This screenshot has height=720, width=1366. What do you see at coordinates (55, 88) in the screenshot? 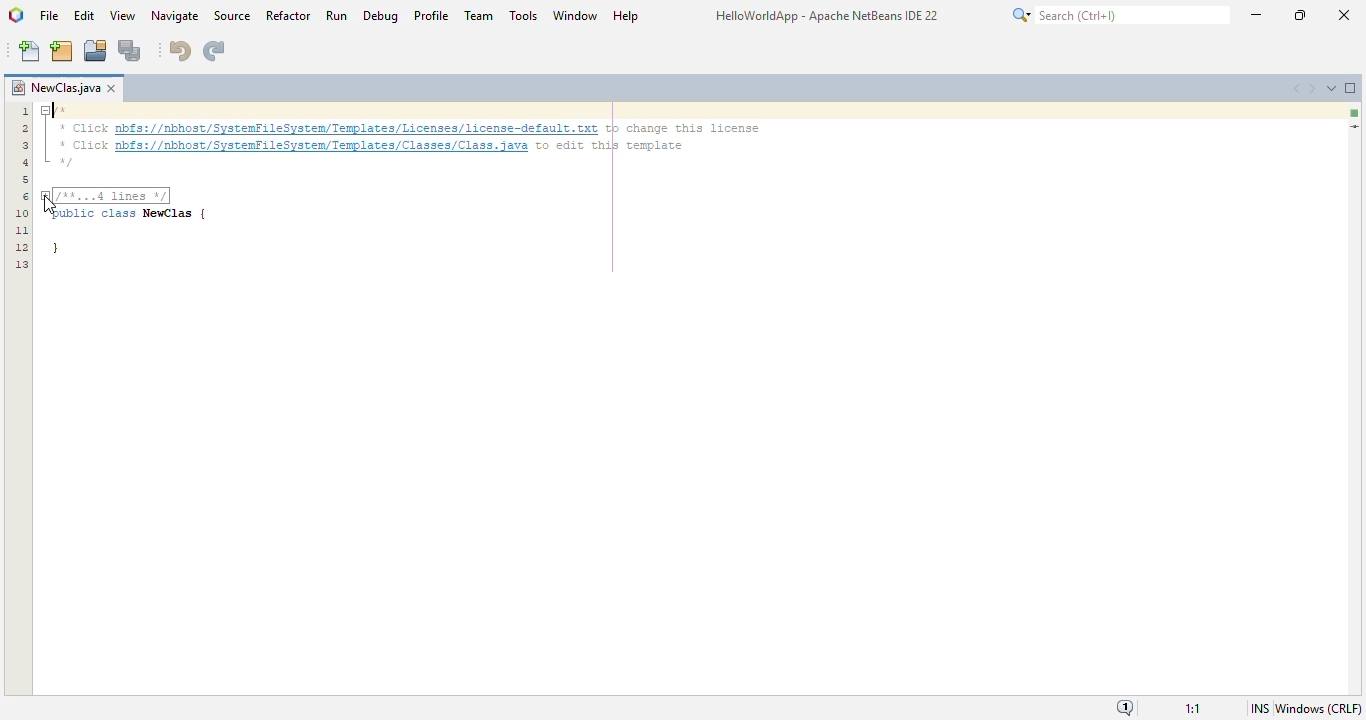
I see `project name` at bounding box center [55, 88].